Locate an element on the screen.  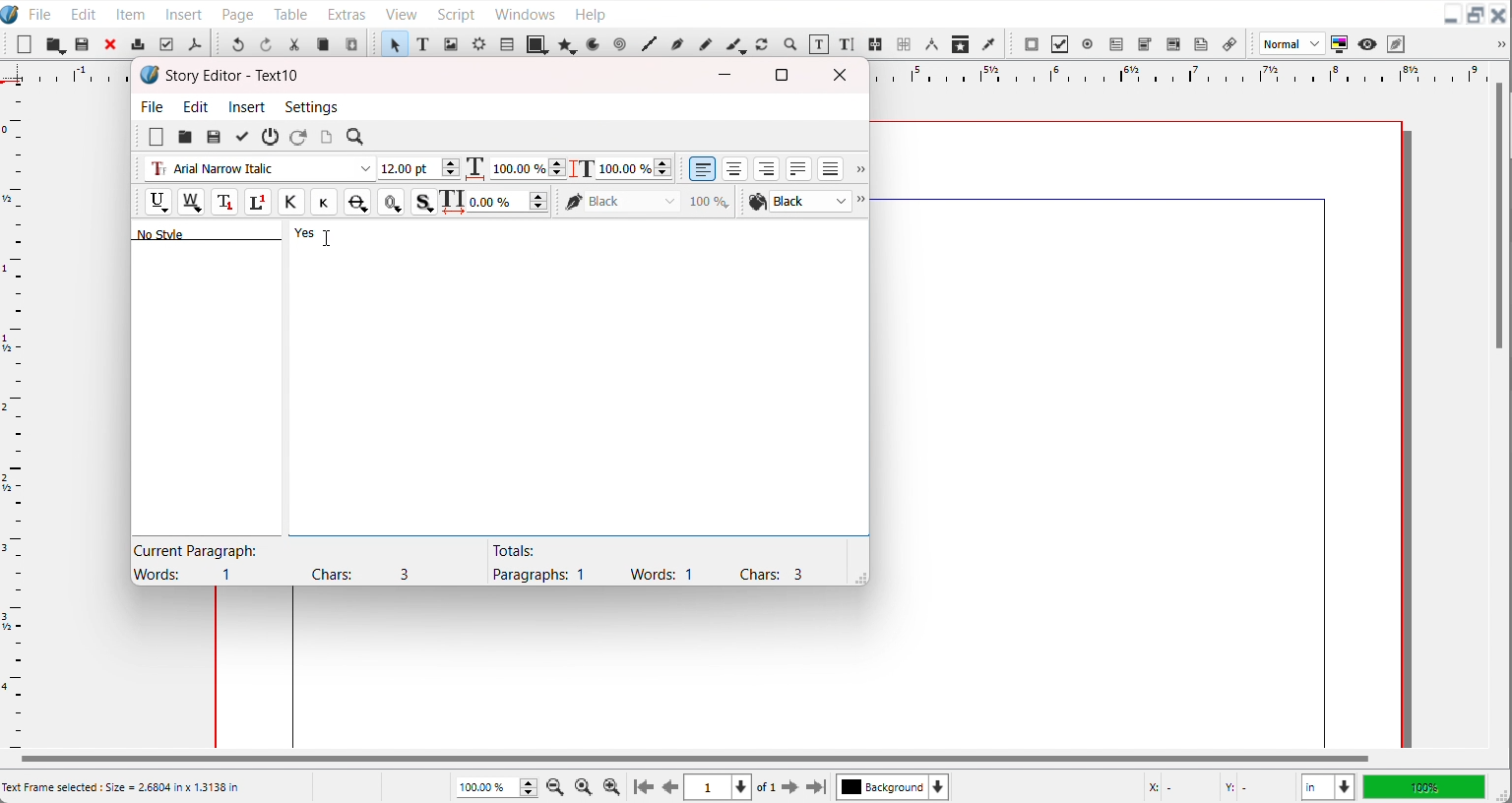
Edit is located at coordinates (81, 13).